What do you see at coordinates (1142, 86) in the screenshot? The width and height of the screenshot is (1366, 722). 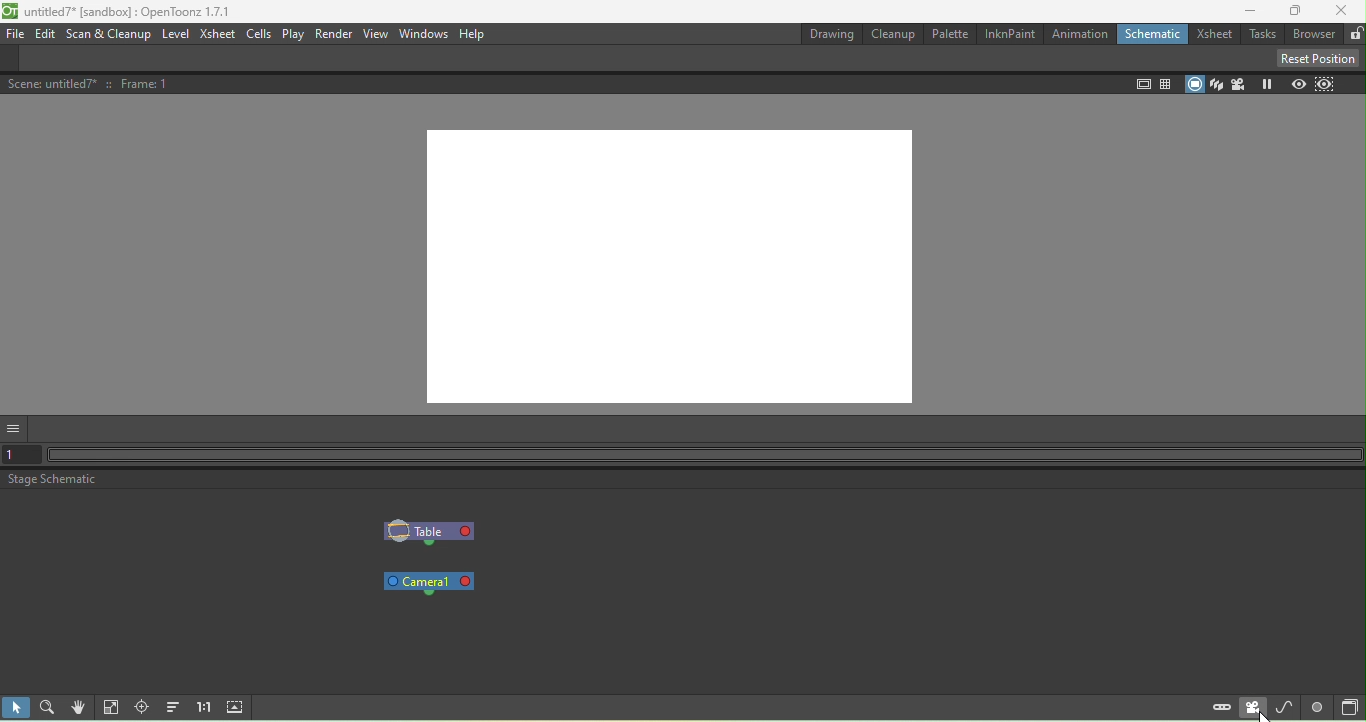 I see `Safe area` at bounding box center [1142, 86].